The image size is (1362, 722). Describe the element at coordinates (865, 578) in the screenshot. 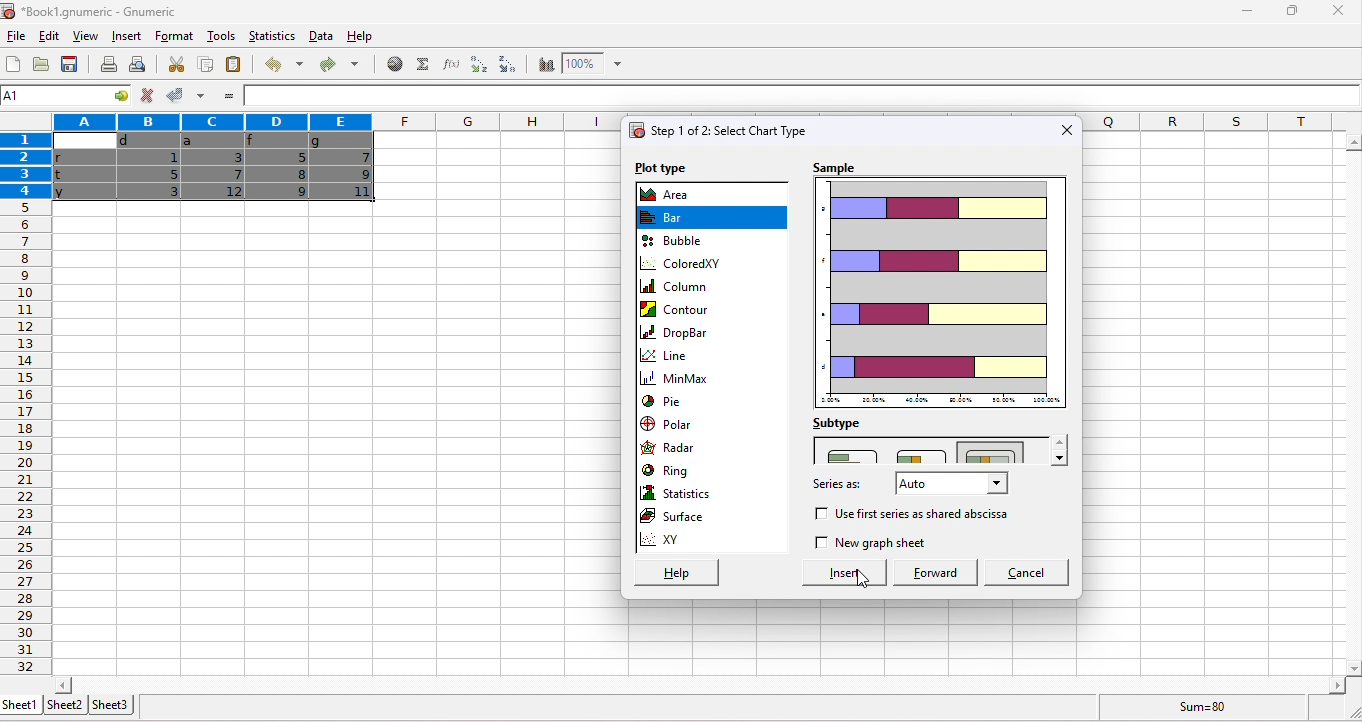

I see `cursor movement` at that location.